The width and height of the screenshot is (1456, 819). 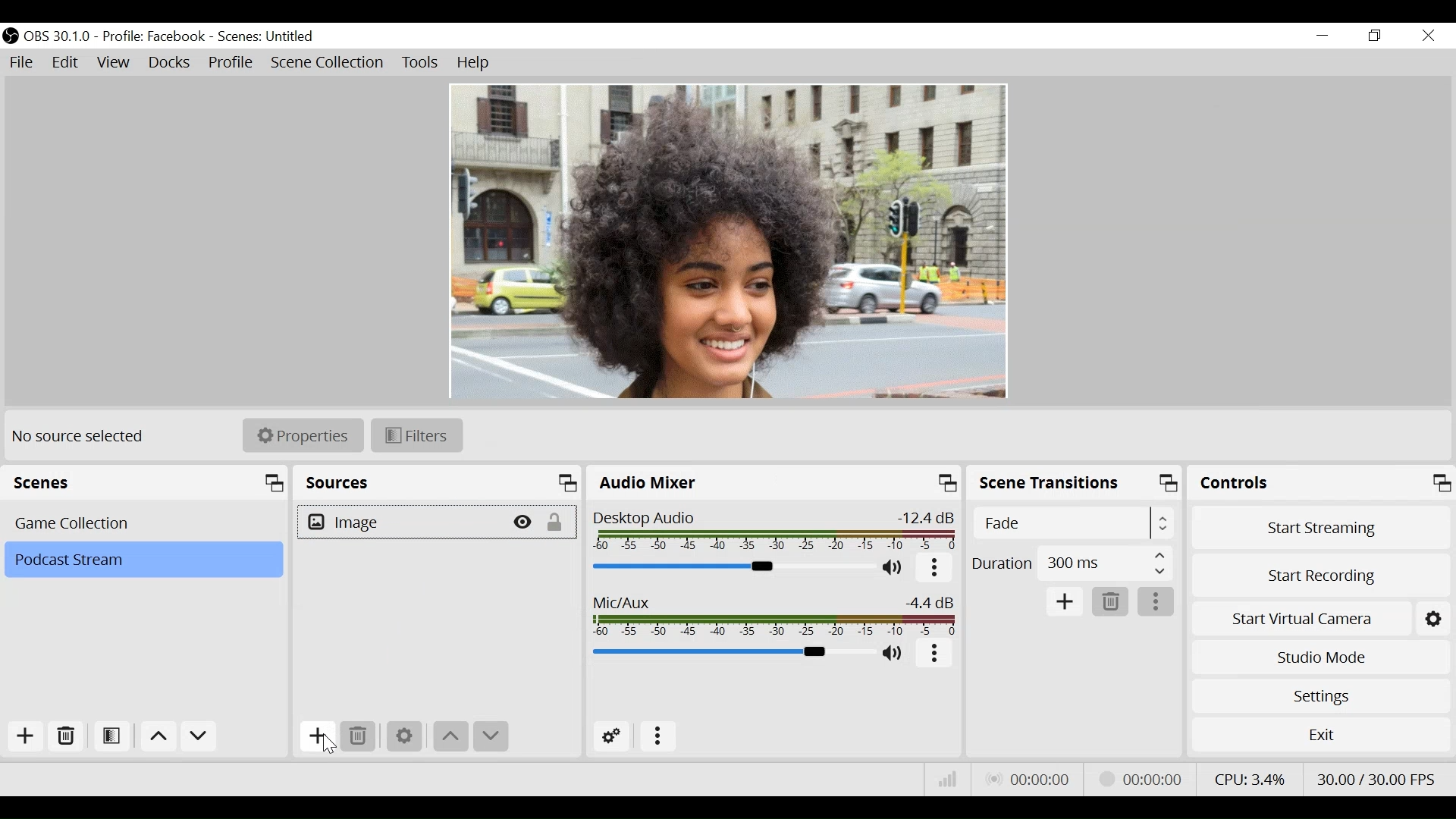 What do you see at coordinates (116, 64) in the screenshot?
I see `View` at bounding box center [116, 64].